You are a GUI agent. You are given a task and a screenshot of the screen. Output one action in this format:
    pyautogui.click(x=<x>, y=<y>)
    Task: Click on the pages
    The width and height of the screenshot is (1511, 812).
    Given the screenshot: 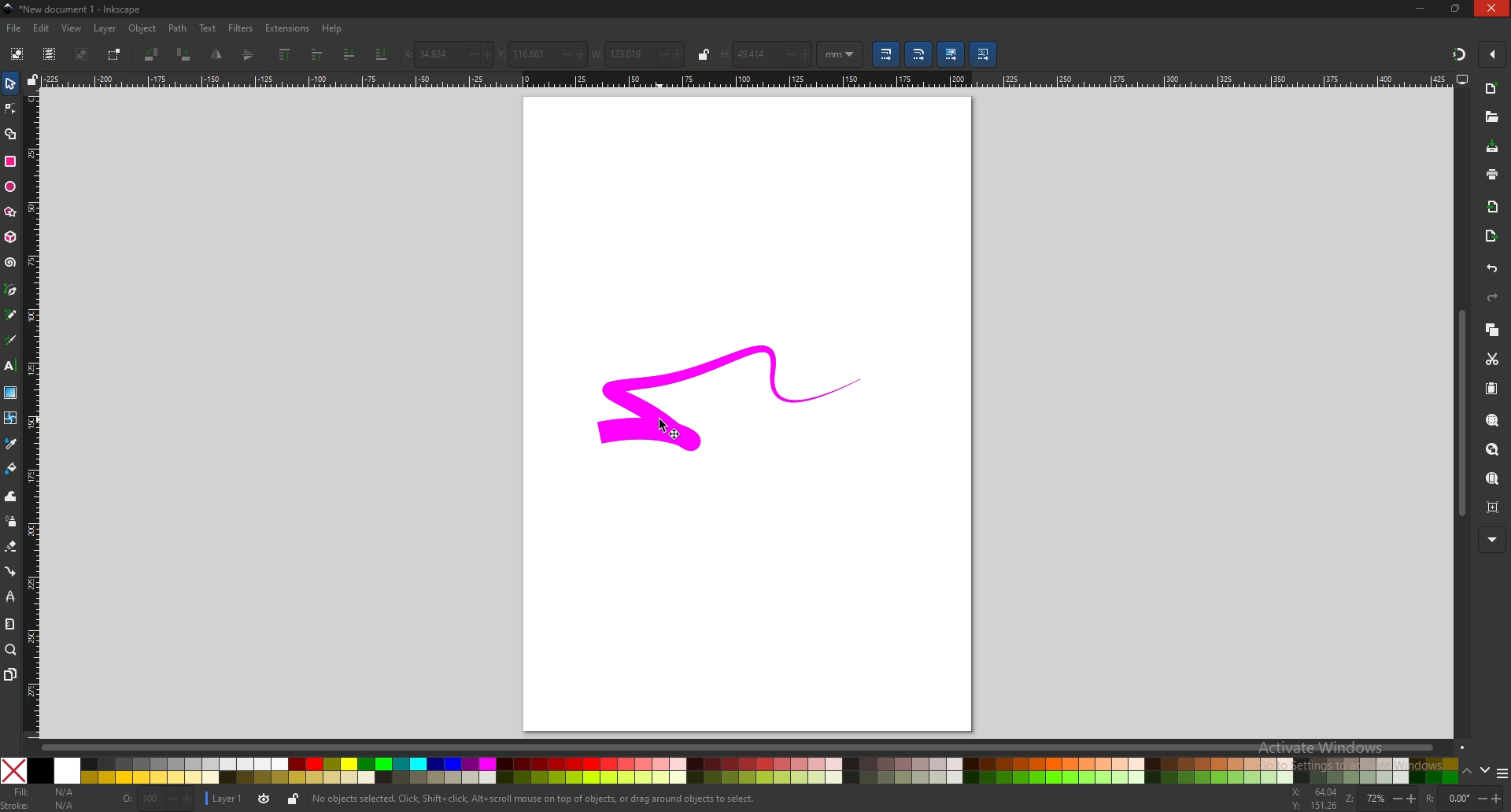 What is the action you would take?
    pyautogui.click(x=10, y=674)
    